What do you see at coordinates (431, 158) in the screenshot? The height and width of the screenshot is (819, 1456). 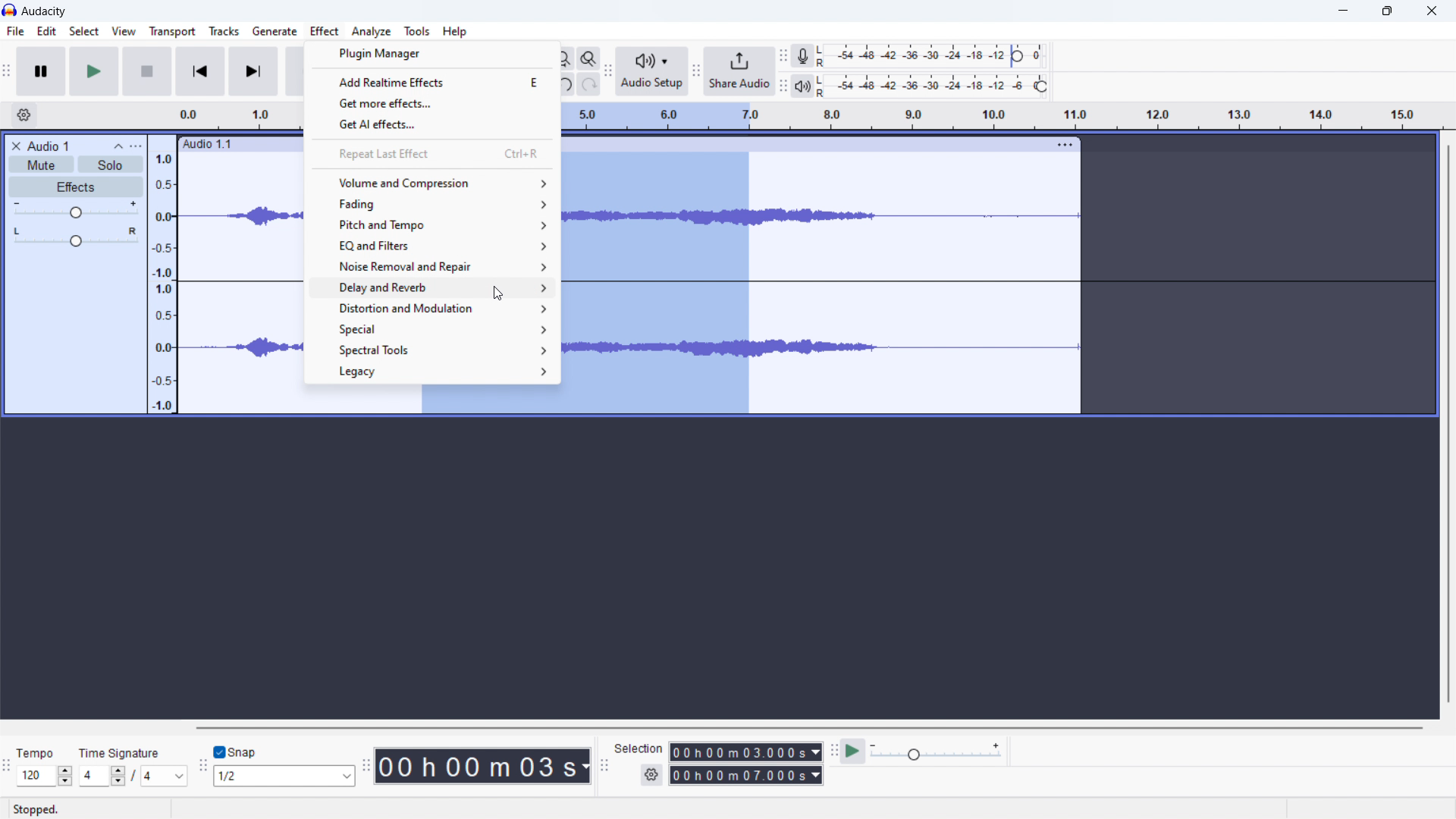 I see `repeat last effect  ctrl+R` at bounding box center [431, 158].